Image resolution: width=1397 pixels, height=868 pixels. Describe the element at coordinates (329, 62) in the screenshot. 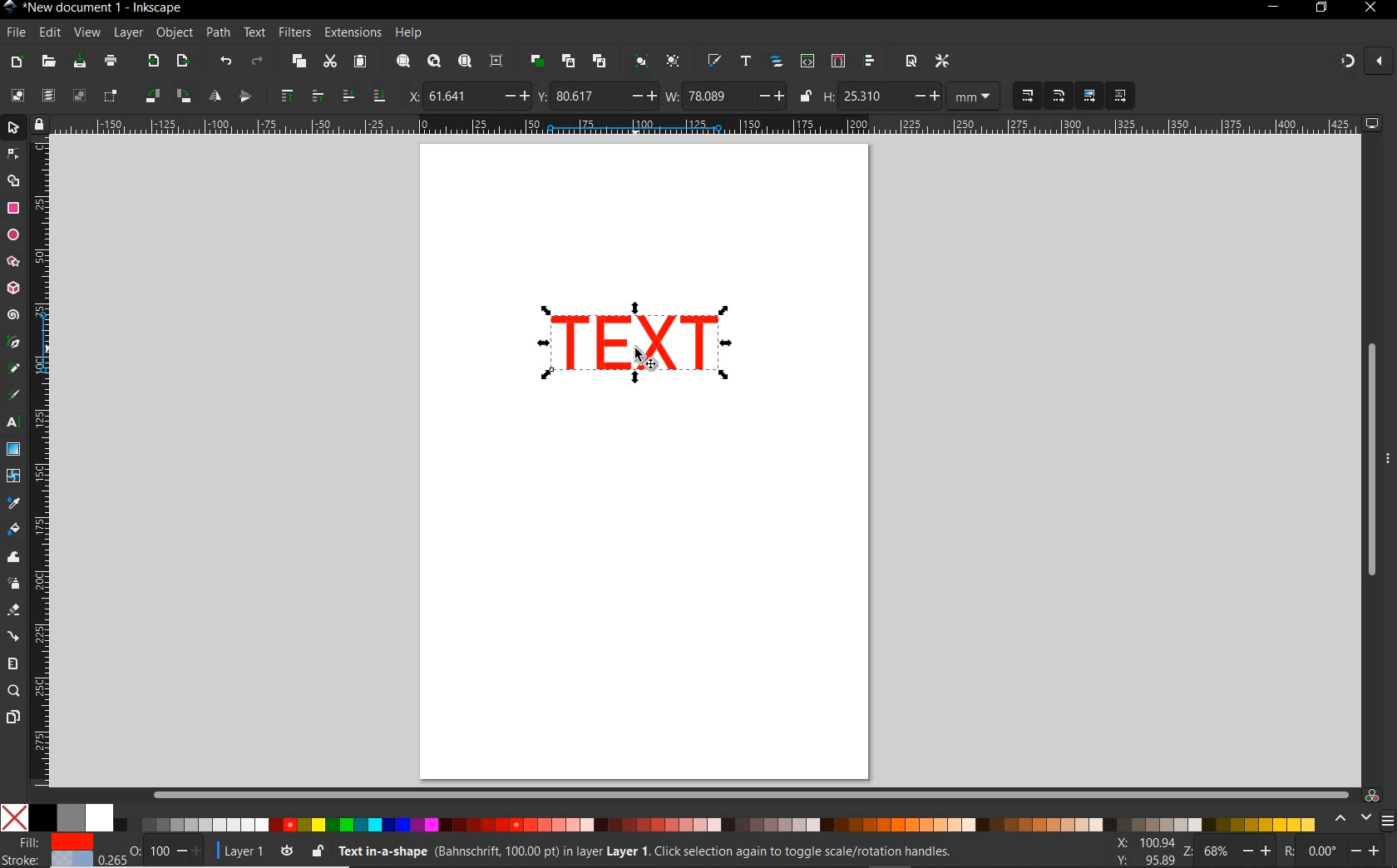

I see `cut` at that location.